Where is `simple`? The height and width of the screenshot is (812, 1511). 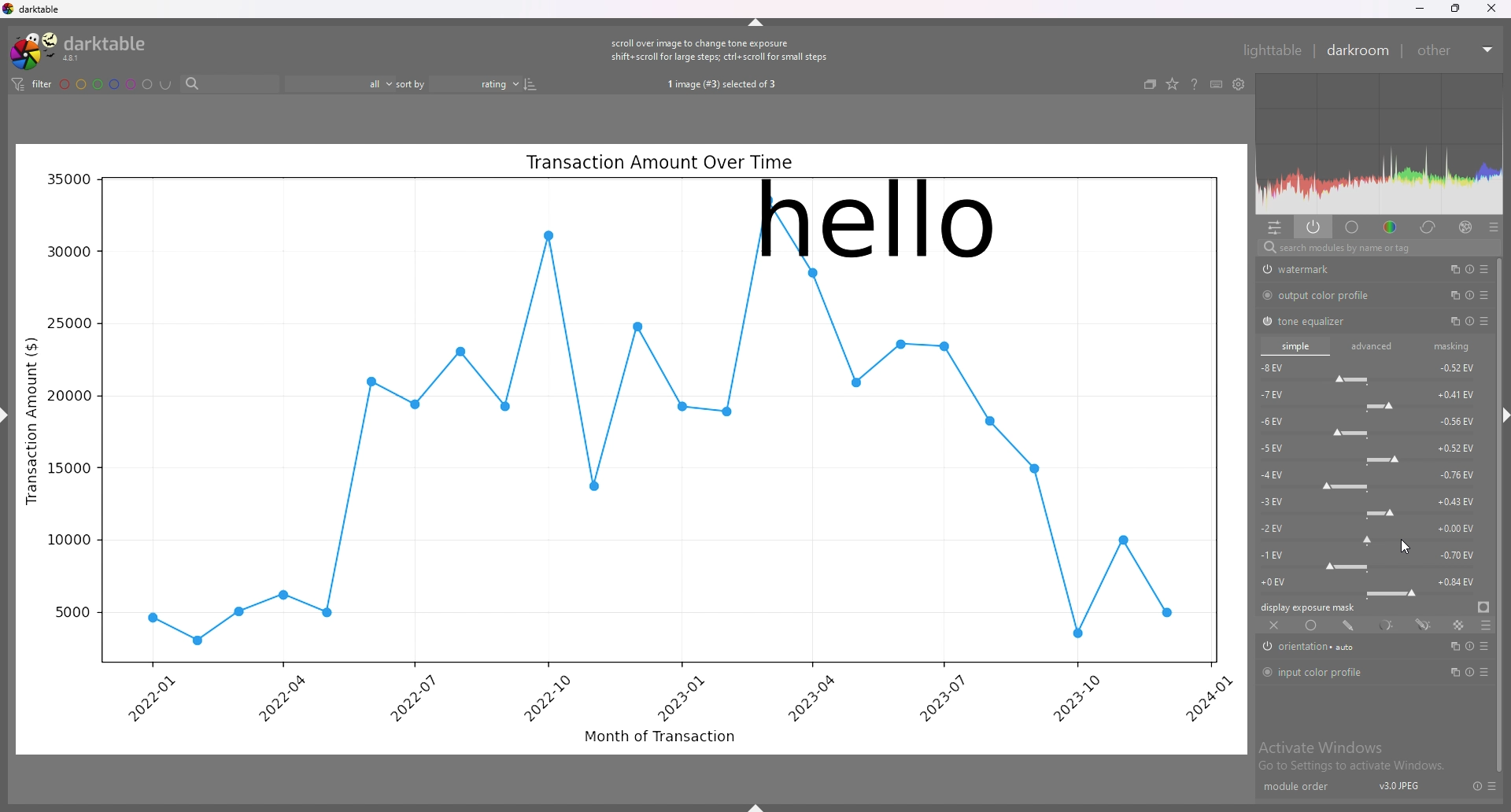
simple is located at coordinates (1295, 345).